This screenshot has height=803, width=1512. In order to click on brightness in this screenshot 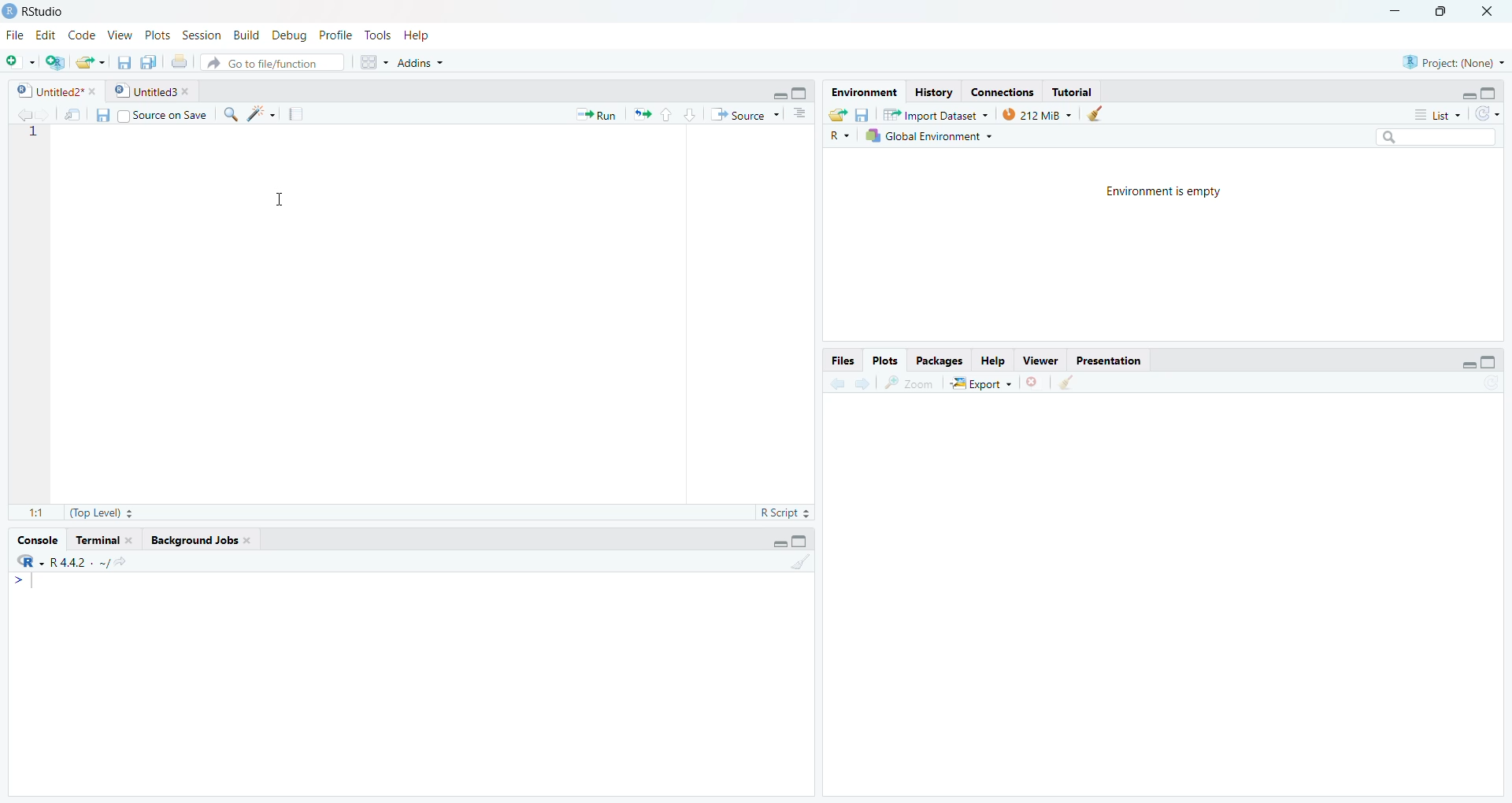, I will do `click(263, 115)`.